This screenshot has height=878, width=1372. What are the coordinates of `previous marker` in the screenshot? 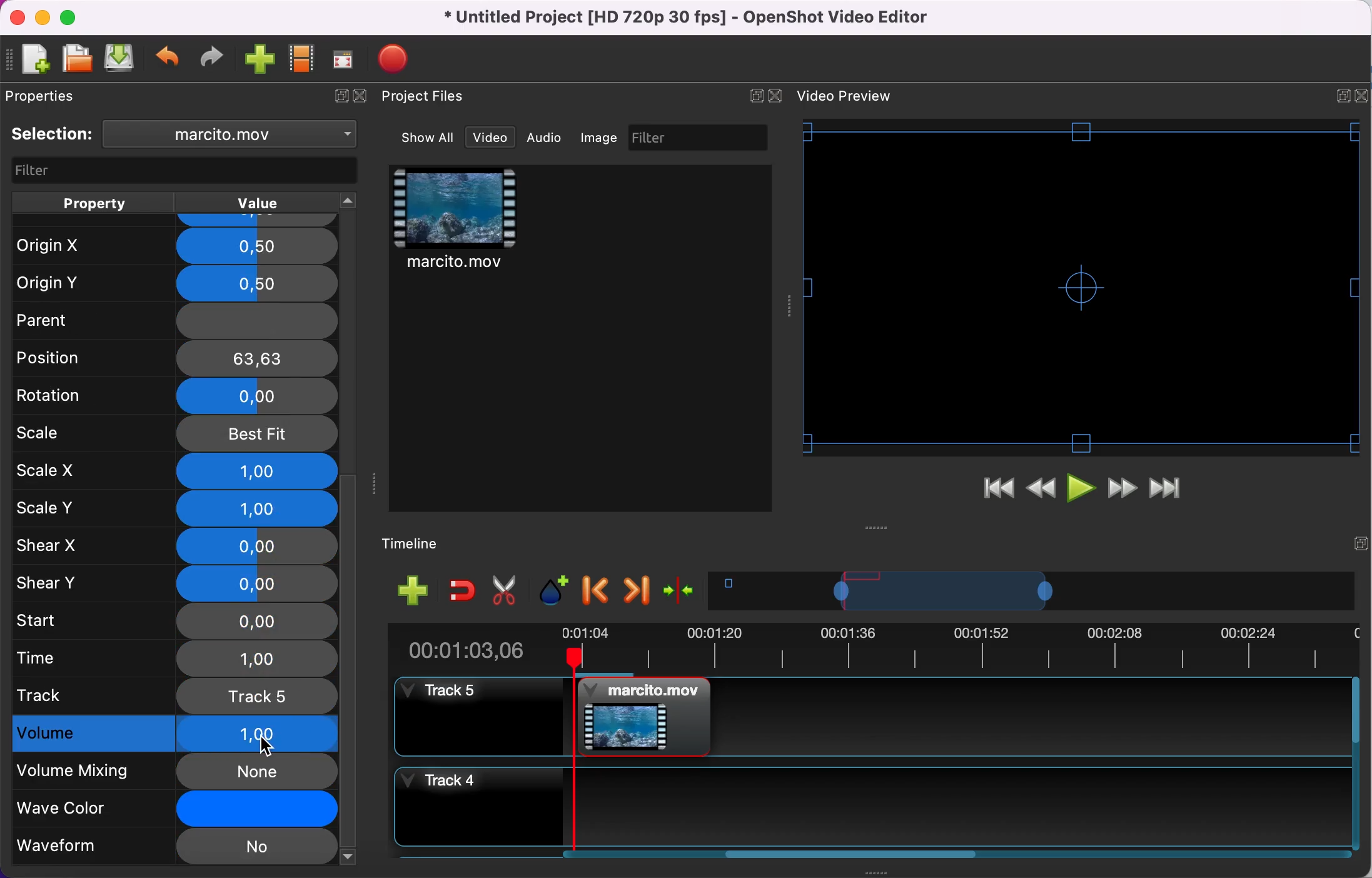 It's located at (598, 591).